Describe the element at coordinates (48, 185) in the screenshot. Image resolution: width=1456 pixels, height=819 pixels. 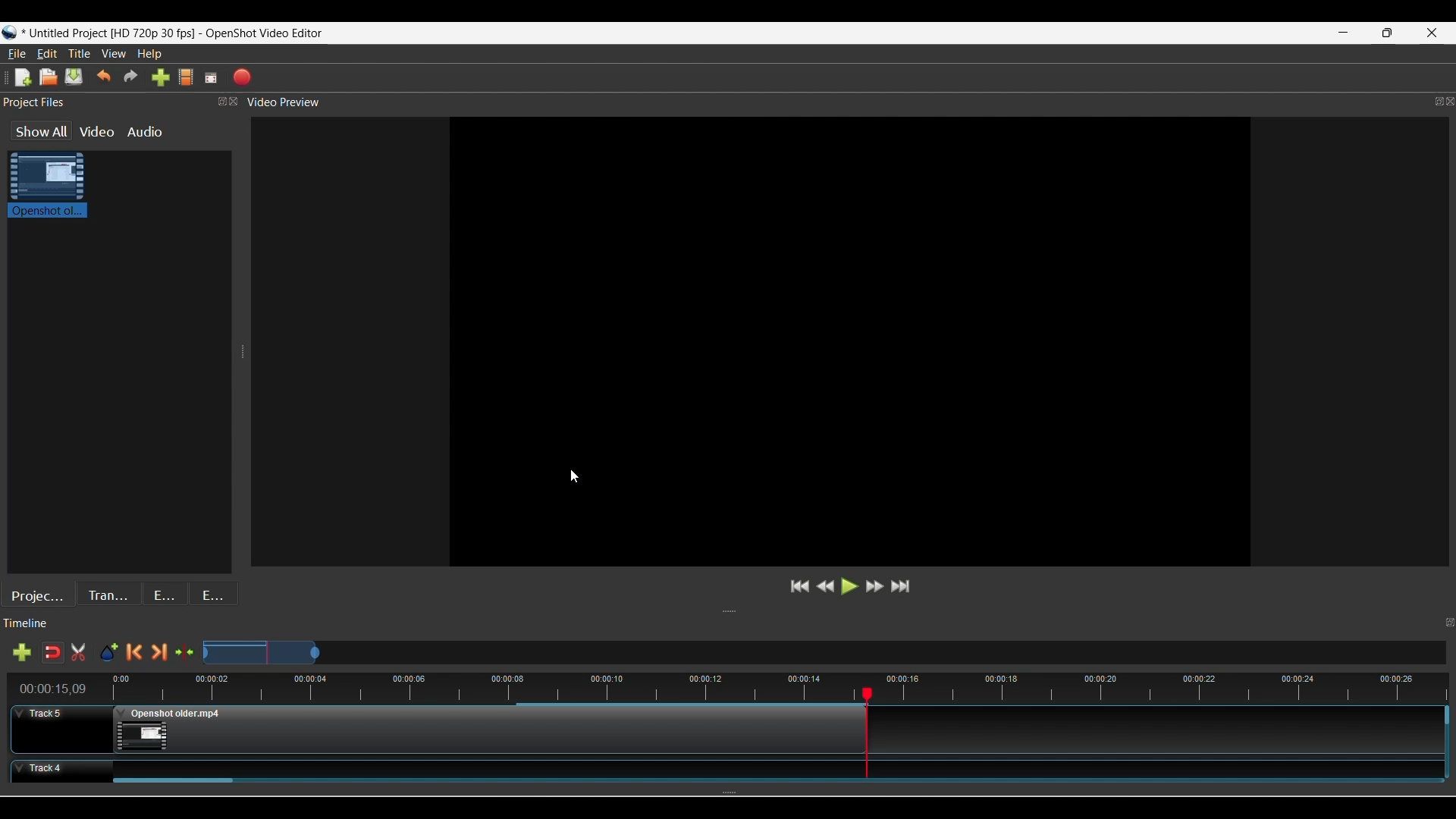
I see `Clip` at that location.